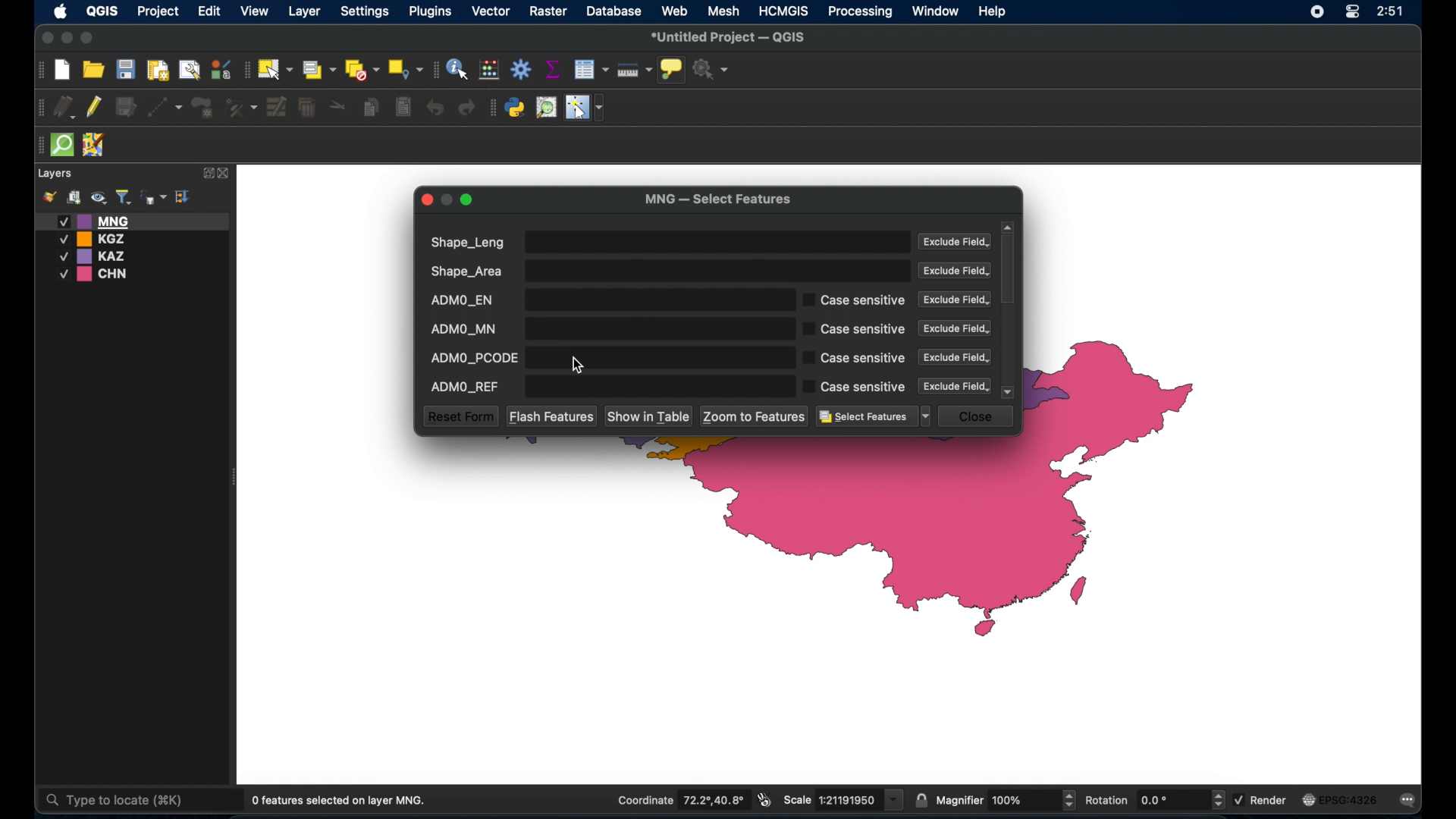 The width and height of the screenshot is (1456, 819). Describe the element at coordinates (123, 197) in the screenshot. I see `filter legend` at that location.